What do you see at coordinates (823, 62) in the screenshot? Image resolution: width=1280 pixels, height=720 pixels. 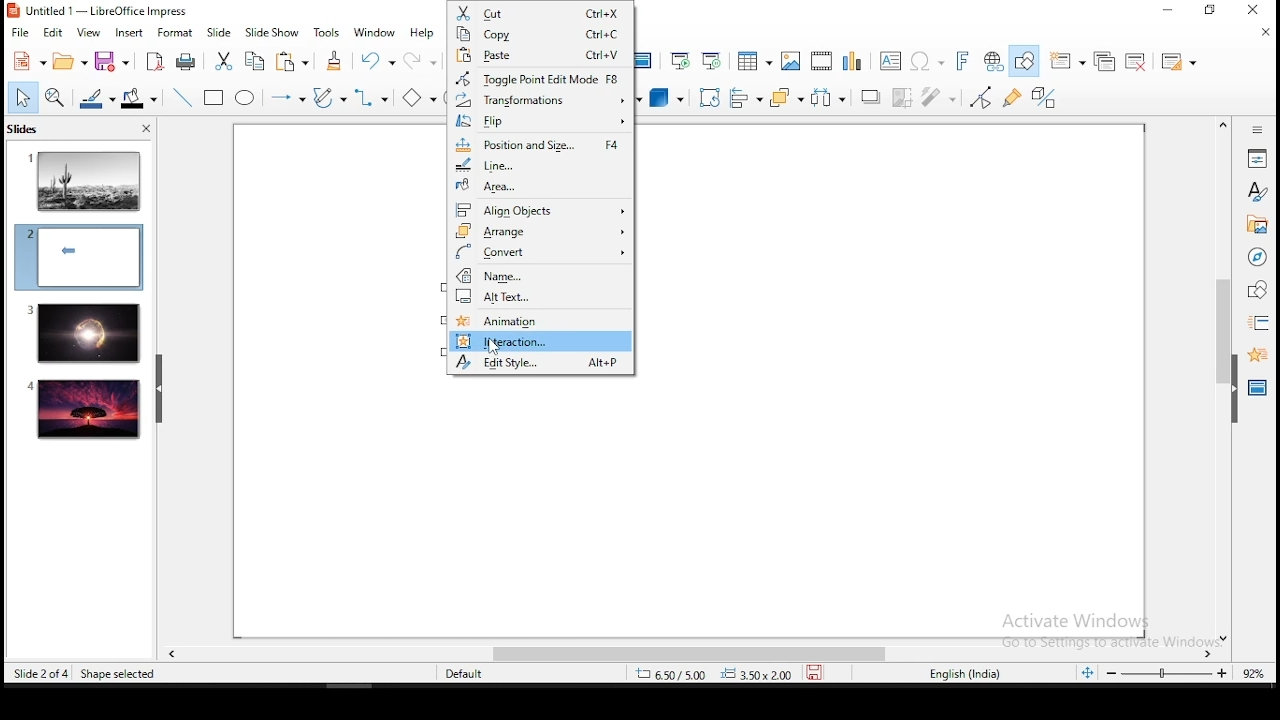 I see `insert audio and video` at bounding box center [823, 62].